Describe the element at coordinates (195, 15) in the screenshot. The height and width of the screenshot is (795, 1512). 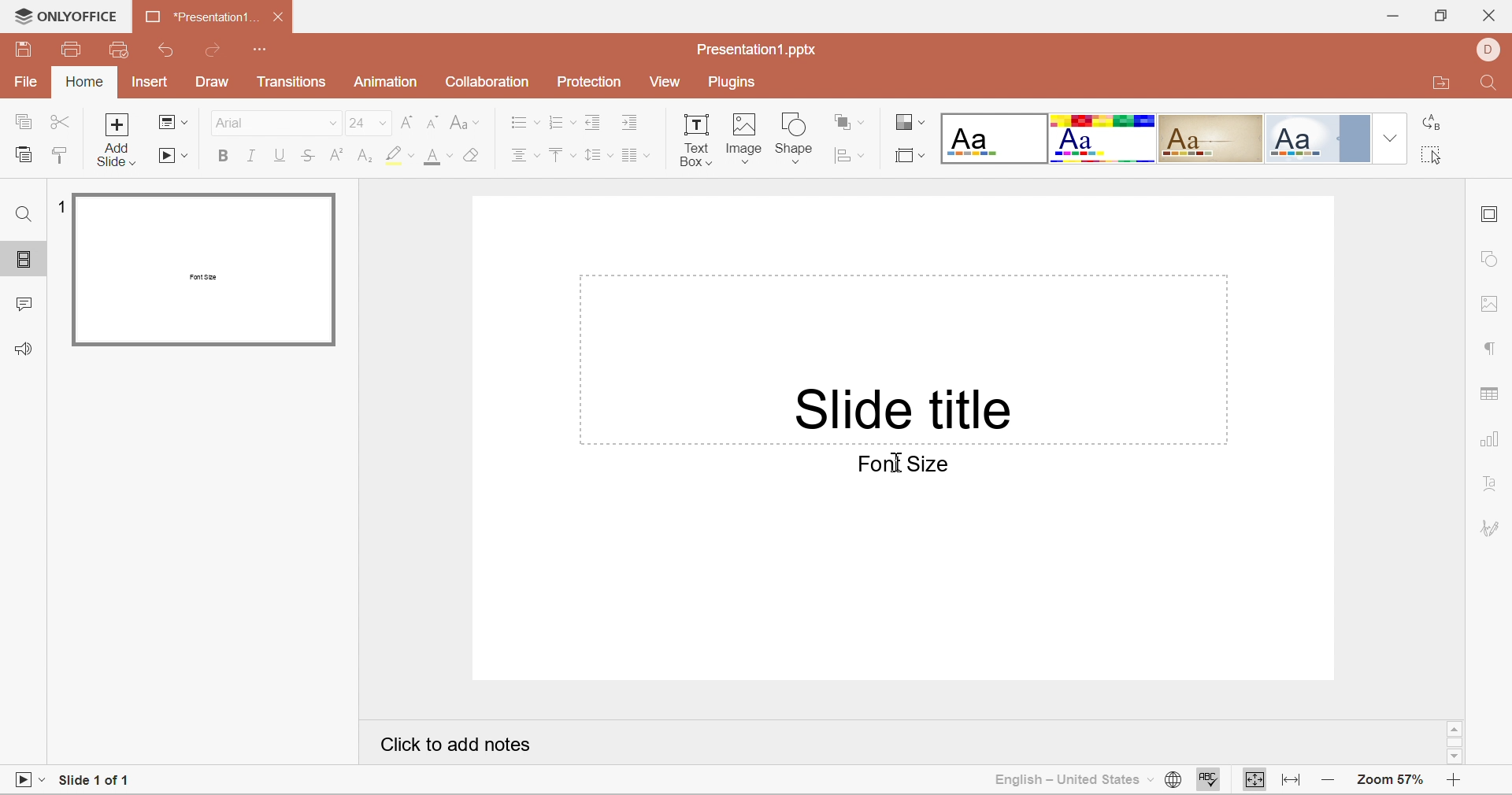
I see `*Presentation1` at that location.